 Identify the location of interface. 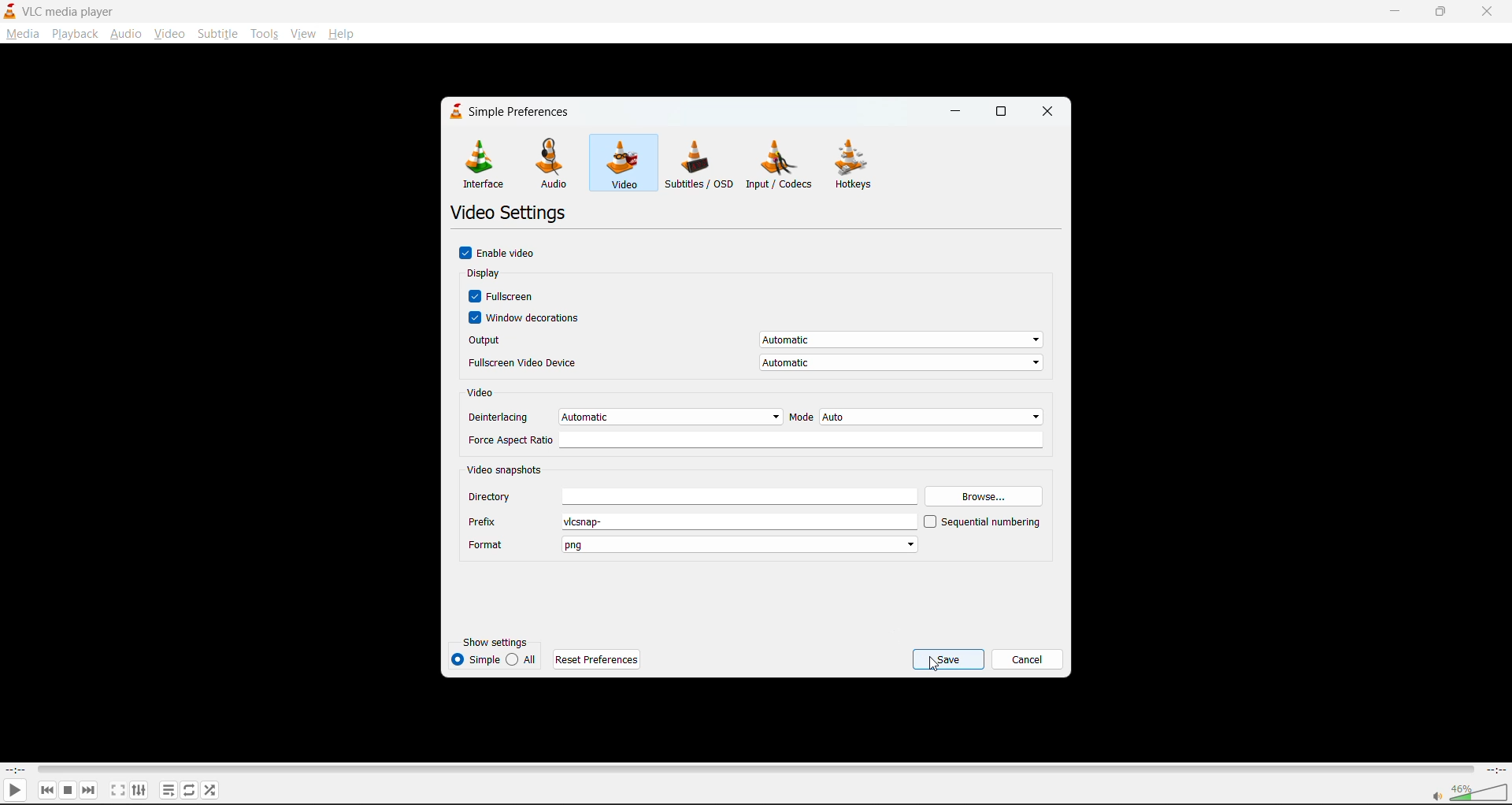
(483, 163).